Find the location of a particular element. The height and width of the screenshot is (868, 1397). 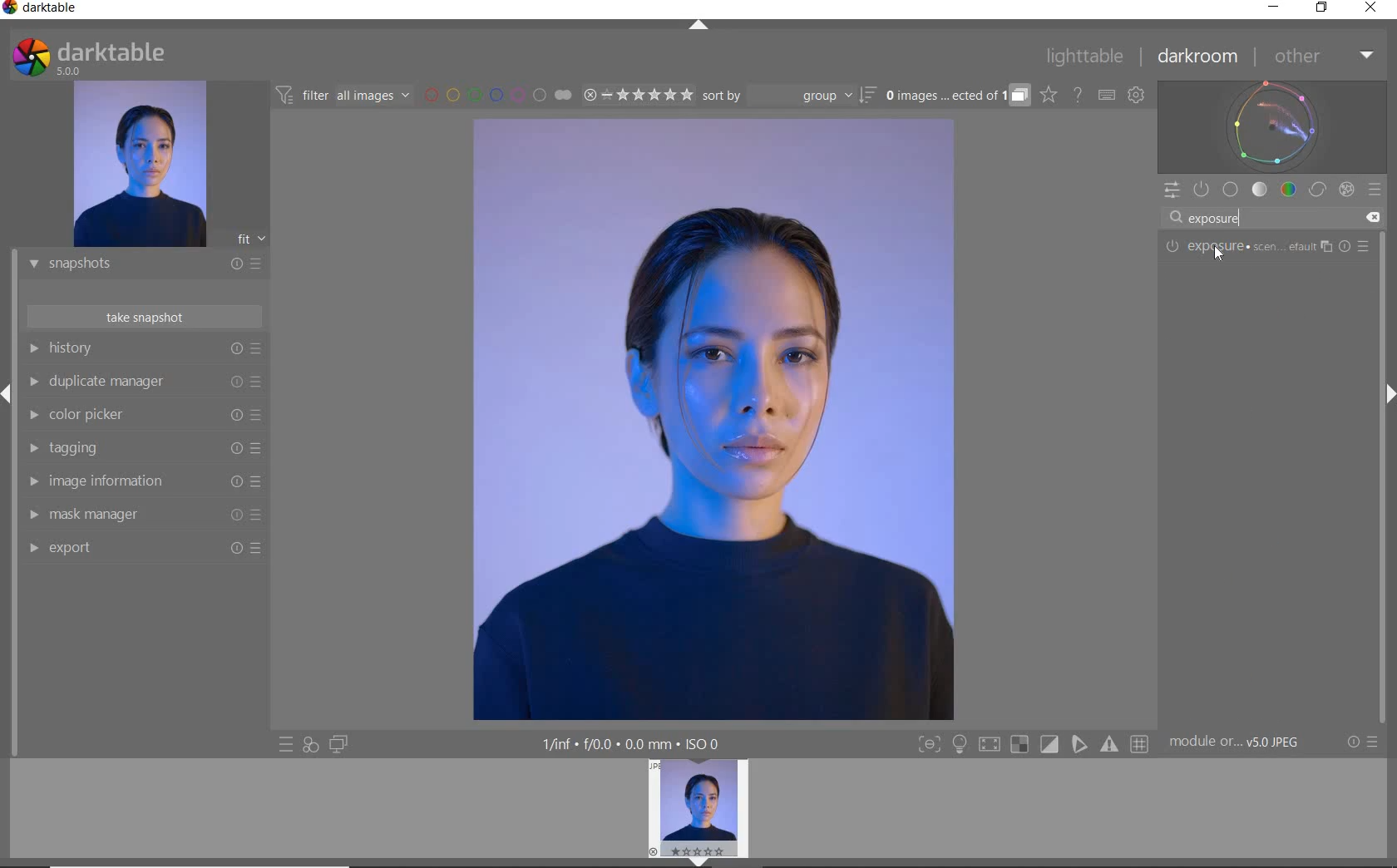

Button is located at coordinates (1019, 745).